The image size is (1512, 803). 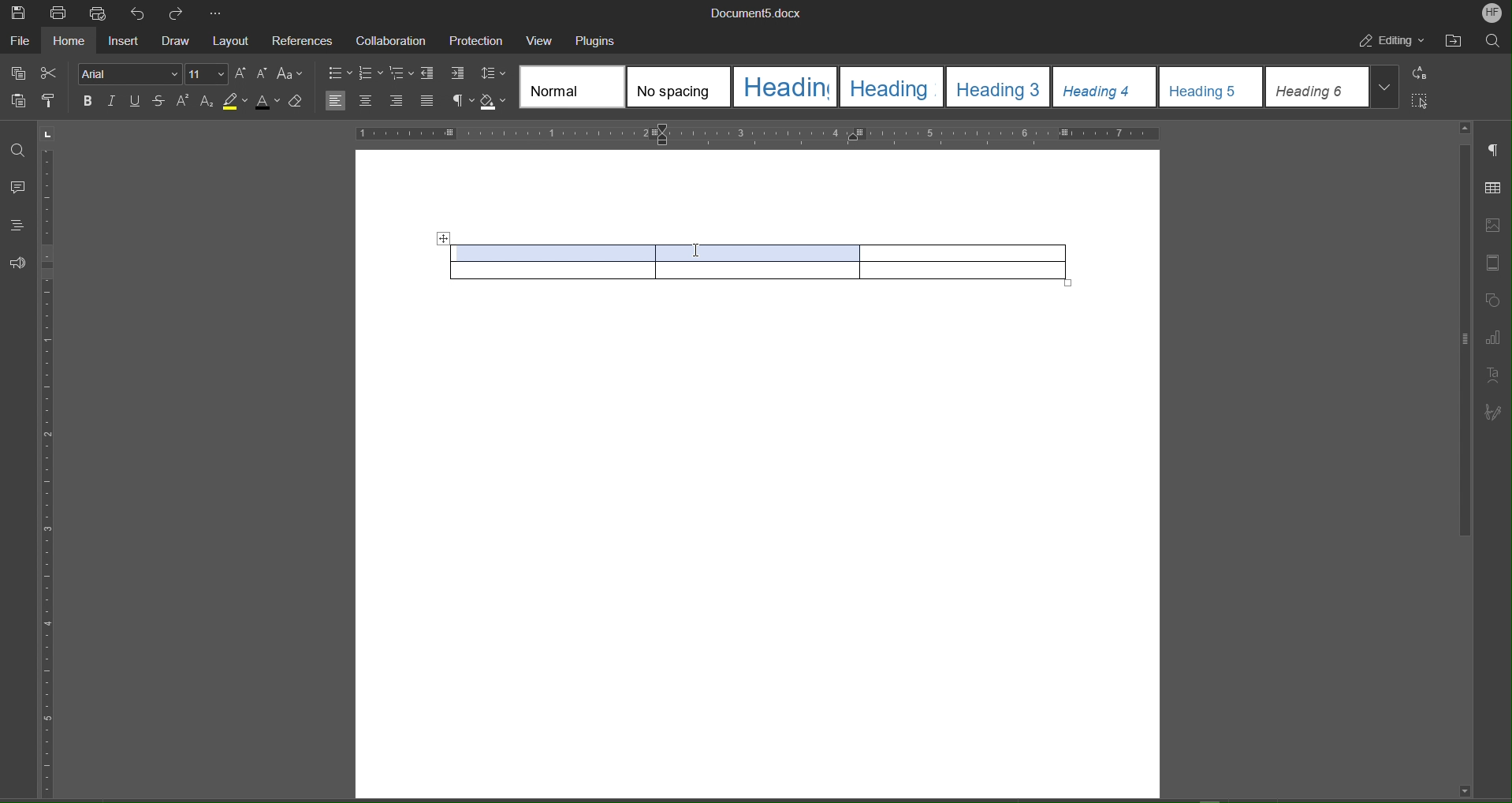 I want to click on page orientation, so click(x=48, y=133).